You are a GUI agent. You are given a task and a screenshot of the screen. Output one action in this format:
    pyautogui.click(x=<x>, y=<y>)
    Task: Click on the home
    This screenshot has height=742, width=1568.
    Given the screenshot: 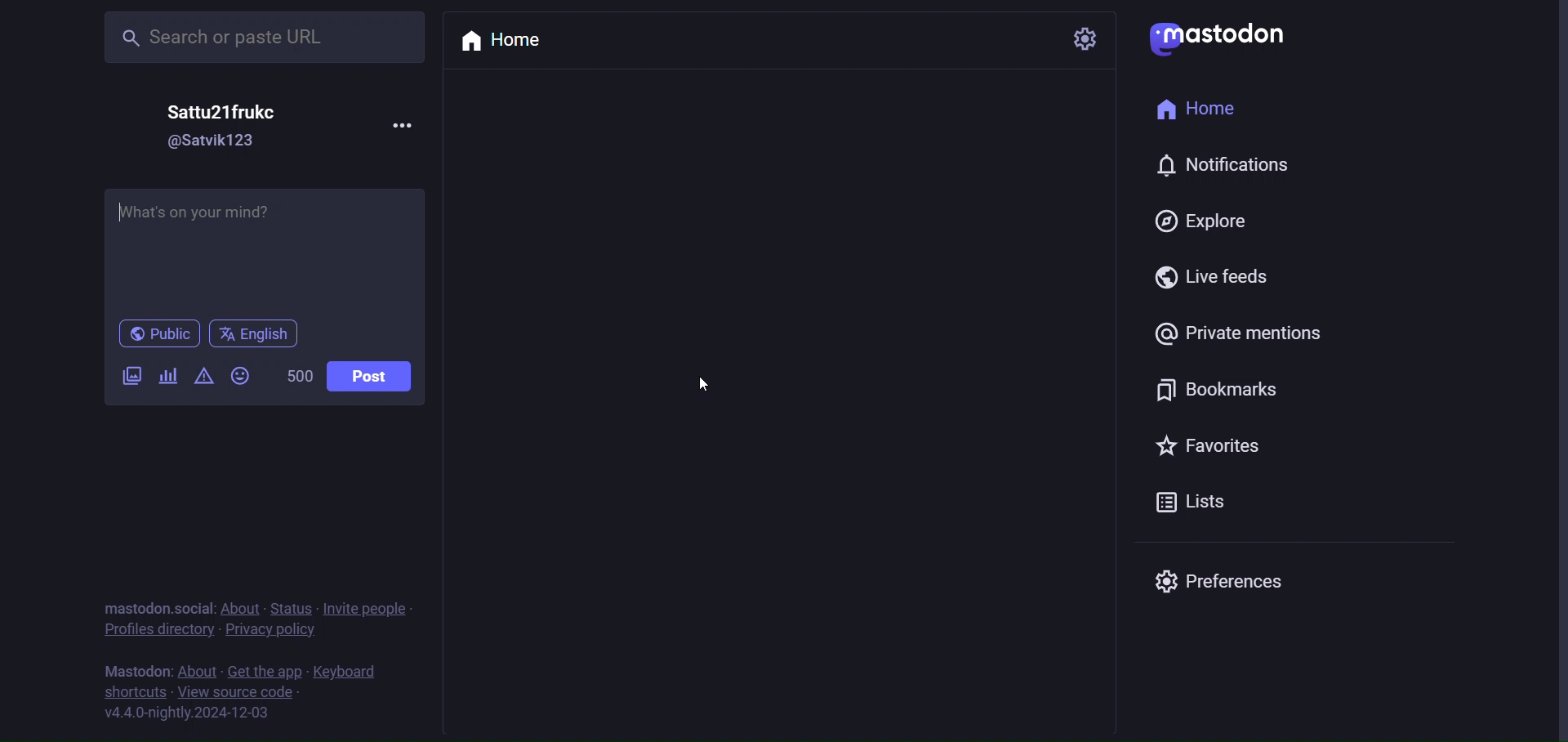 What is the action you would take?
    pyautogui.click(x=500, y=41)
    